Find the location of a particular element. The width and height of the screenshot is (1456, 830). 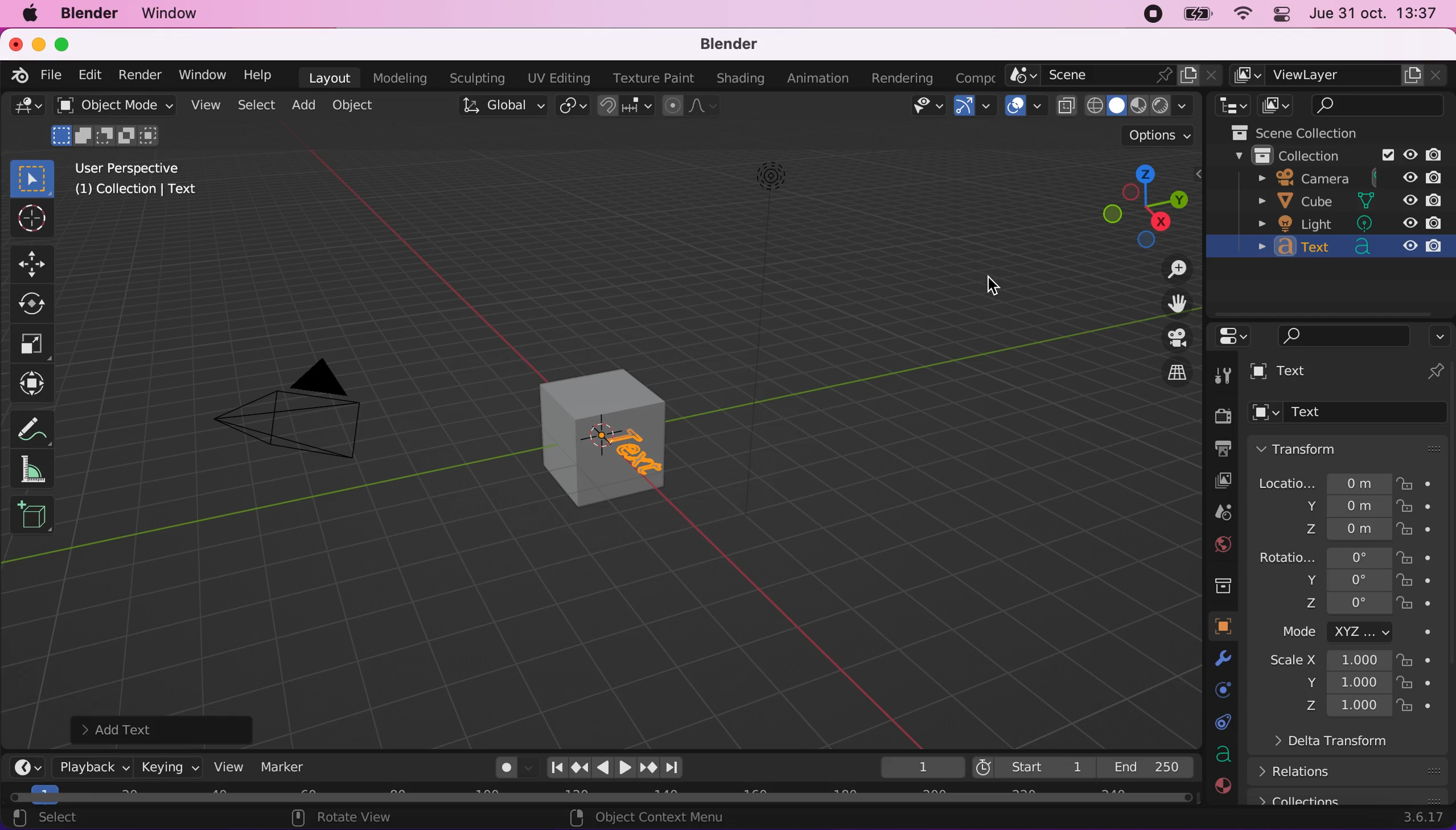

gizmos is located at coordinates (974, 107).